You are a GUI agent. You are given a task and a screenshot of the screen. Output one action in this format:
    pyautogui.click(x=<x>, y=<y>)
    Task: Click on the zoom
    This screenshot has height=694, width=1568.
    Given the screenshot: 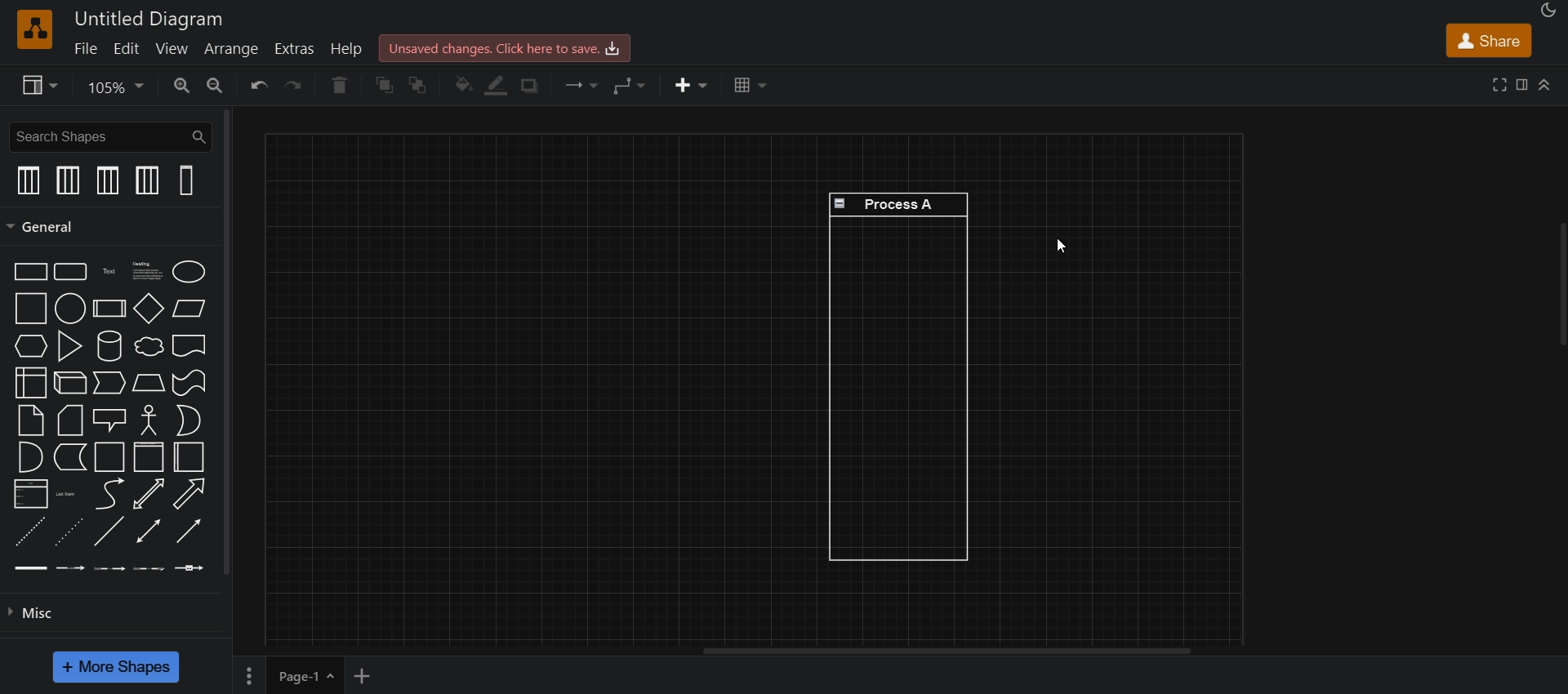 What is the action you would take?
    pyautogui.click(x=116, y=88)
    